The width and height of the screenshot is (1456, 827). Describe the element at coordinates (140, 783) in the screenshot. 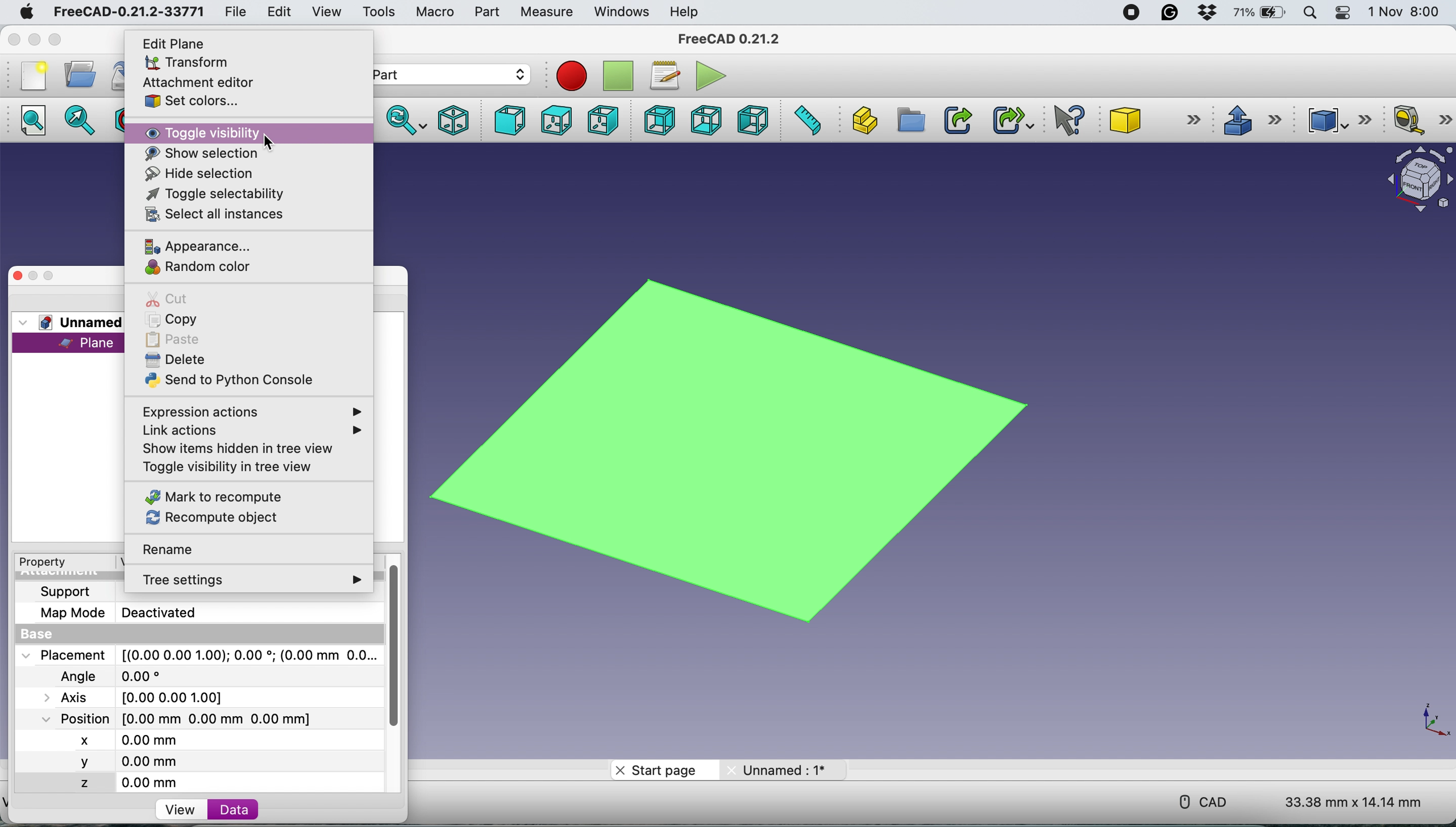

I see `z 0.00 mm` at that location.